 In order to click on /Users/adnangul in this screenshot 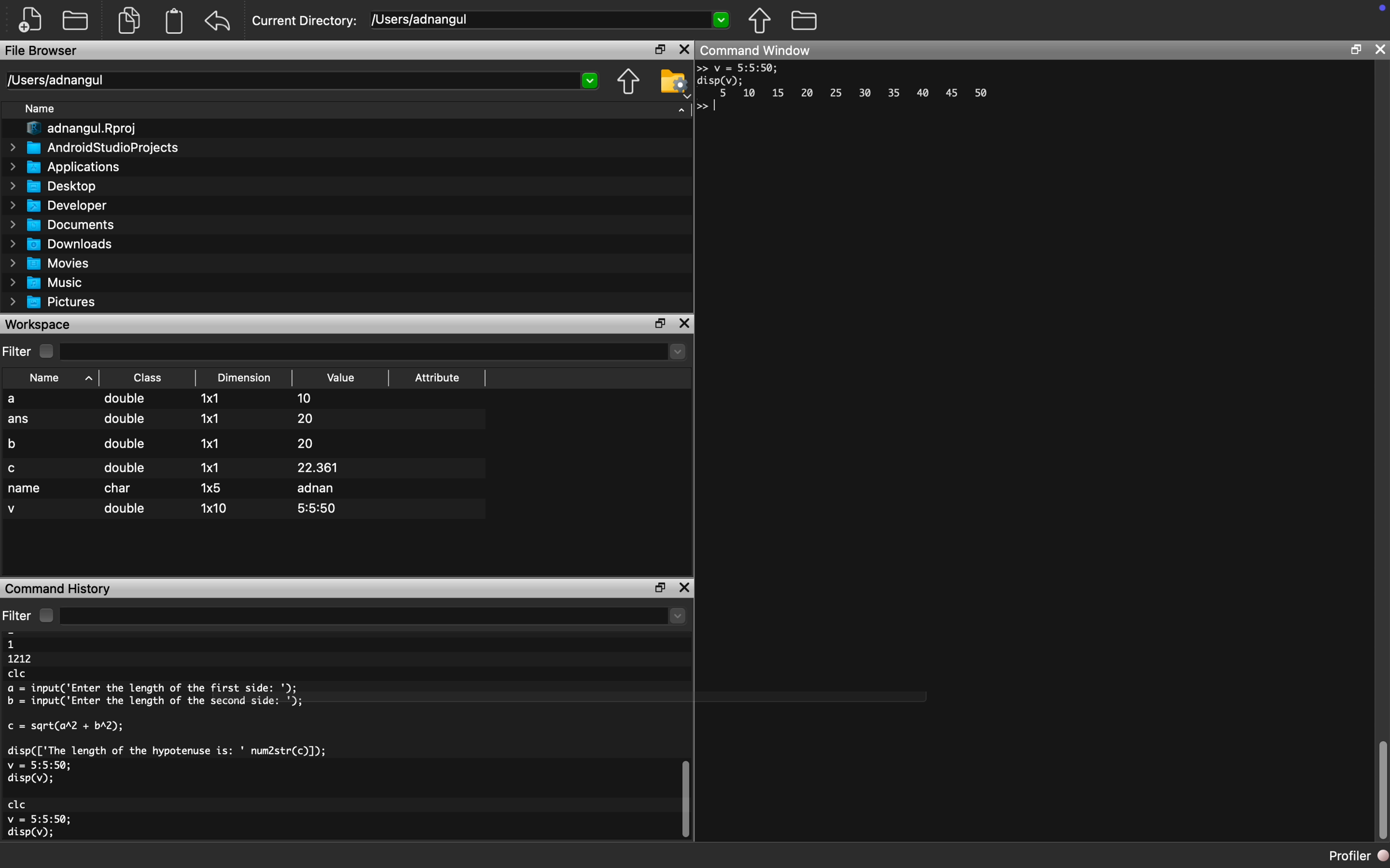, I will do `click(418, 20)`.